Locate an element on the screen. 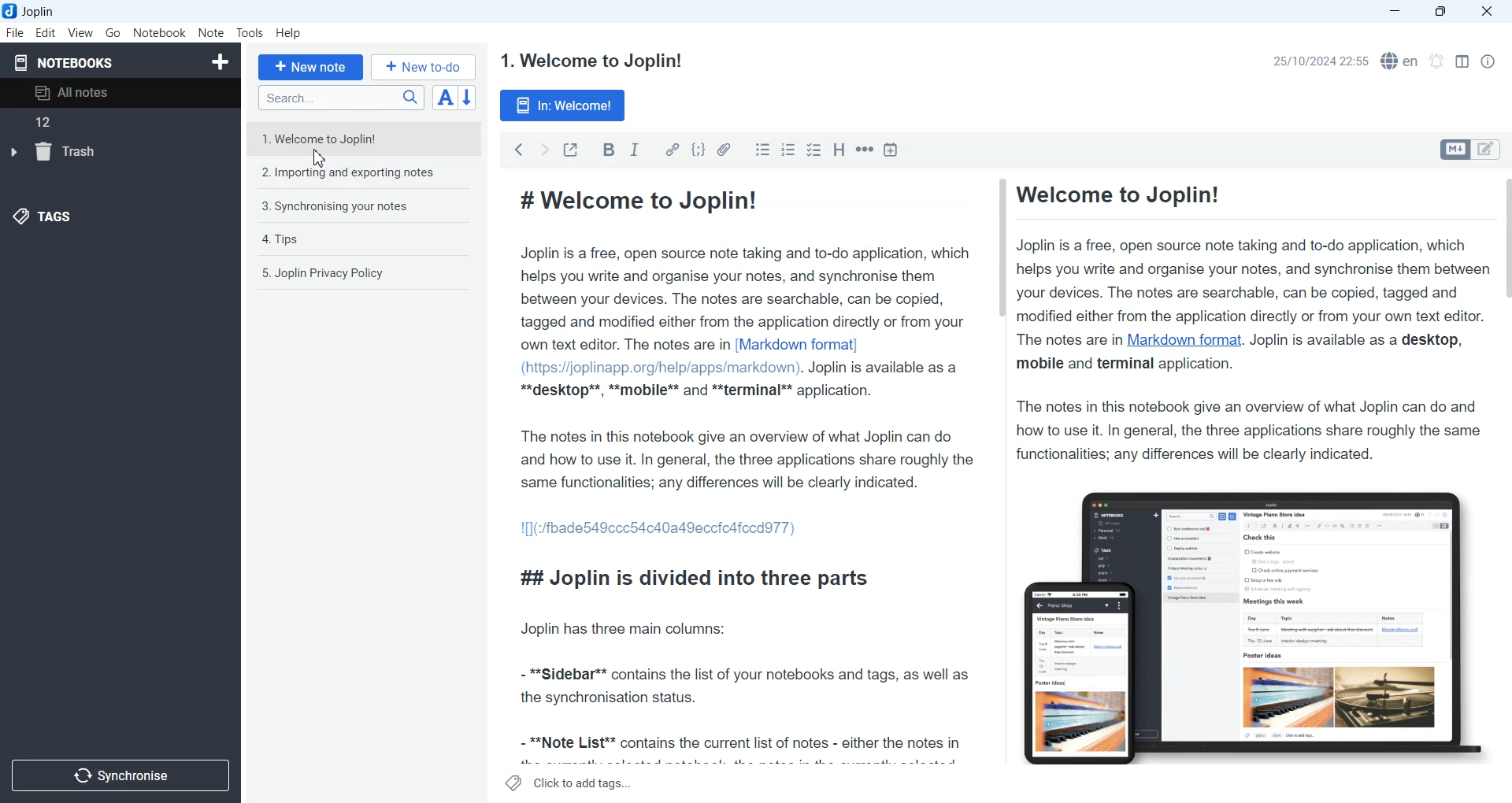 The image size is (1512, 803). Maximize is located at coordinates (1443, 12).